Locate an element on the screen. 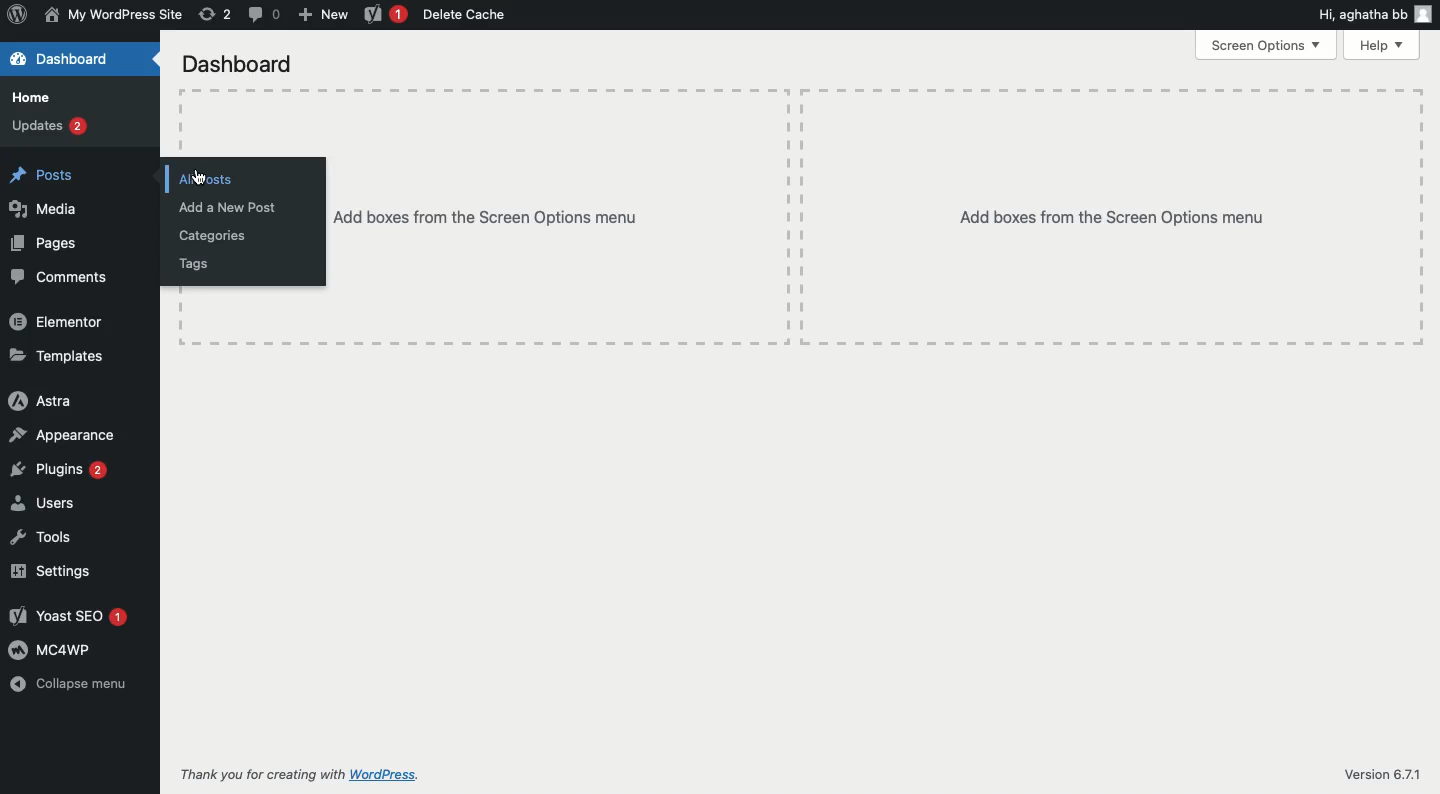 This screenshot has height=794, width=1440. Updates is located at coordinates (55, 127).